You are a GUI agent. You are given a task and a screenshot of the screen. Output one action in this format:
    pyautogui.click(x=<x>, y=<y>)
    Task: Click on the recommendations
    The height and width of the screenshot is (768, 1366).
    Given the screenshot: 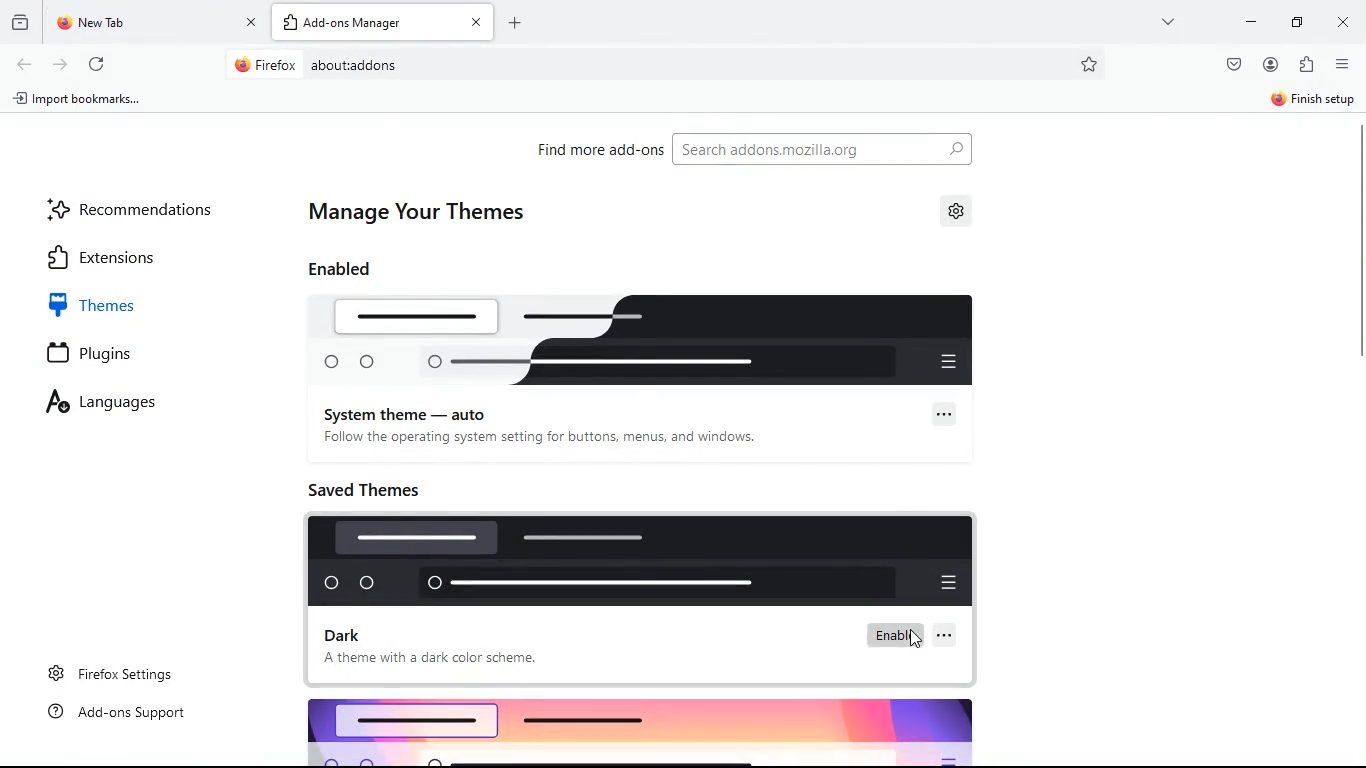 What is the action you would take?
    pyautogui.click(x=133, y=210)
    